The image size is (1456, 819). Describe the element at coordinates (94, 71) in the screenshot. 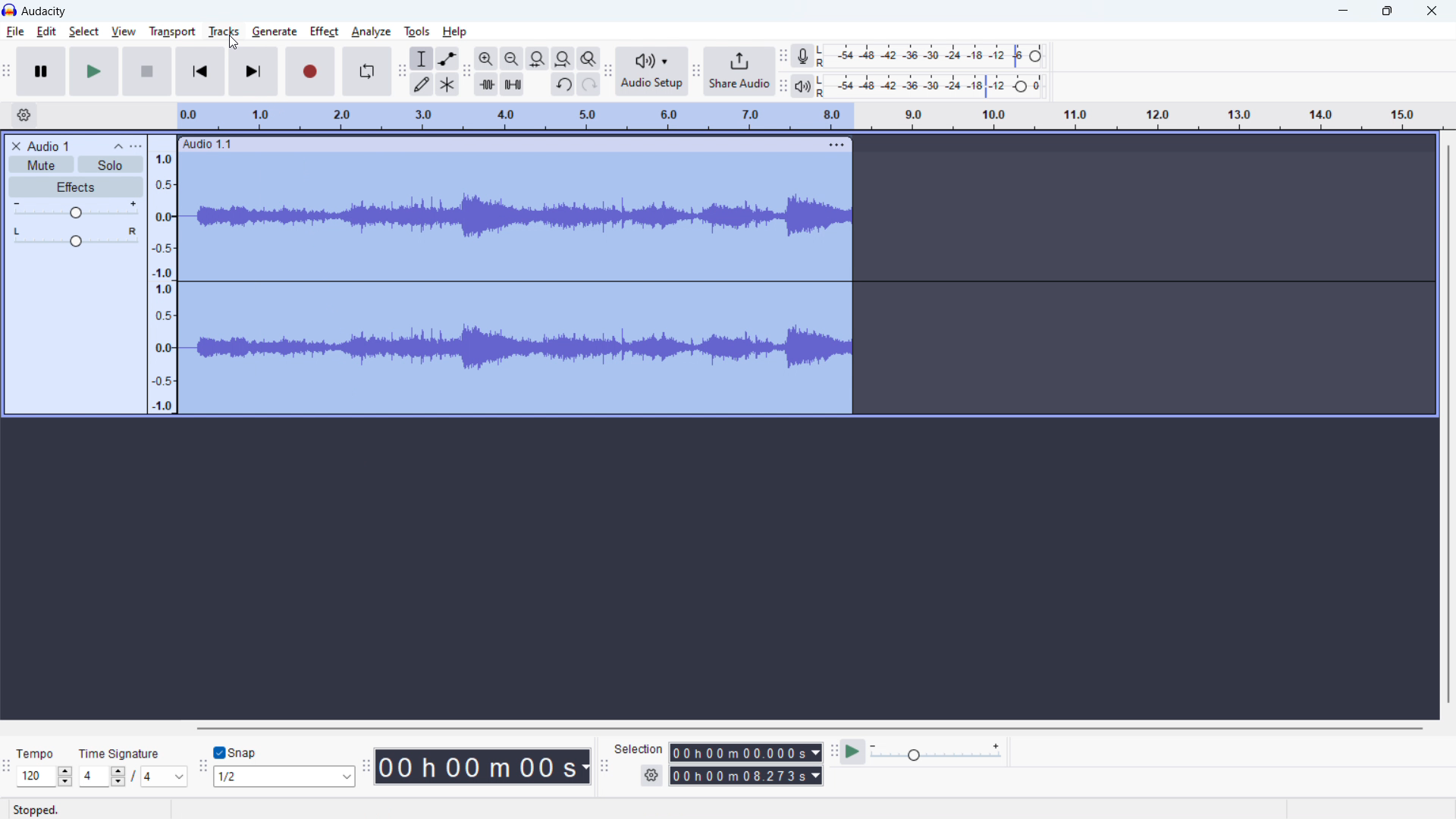

I see `start` at that location.